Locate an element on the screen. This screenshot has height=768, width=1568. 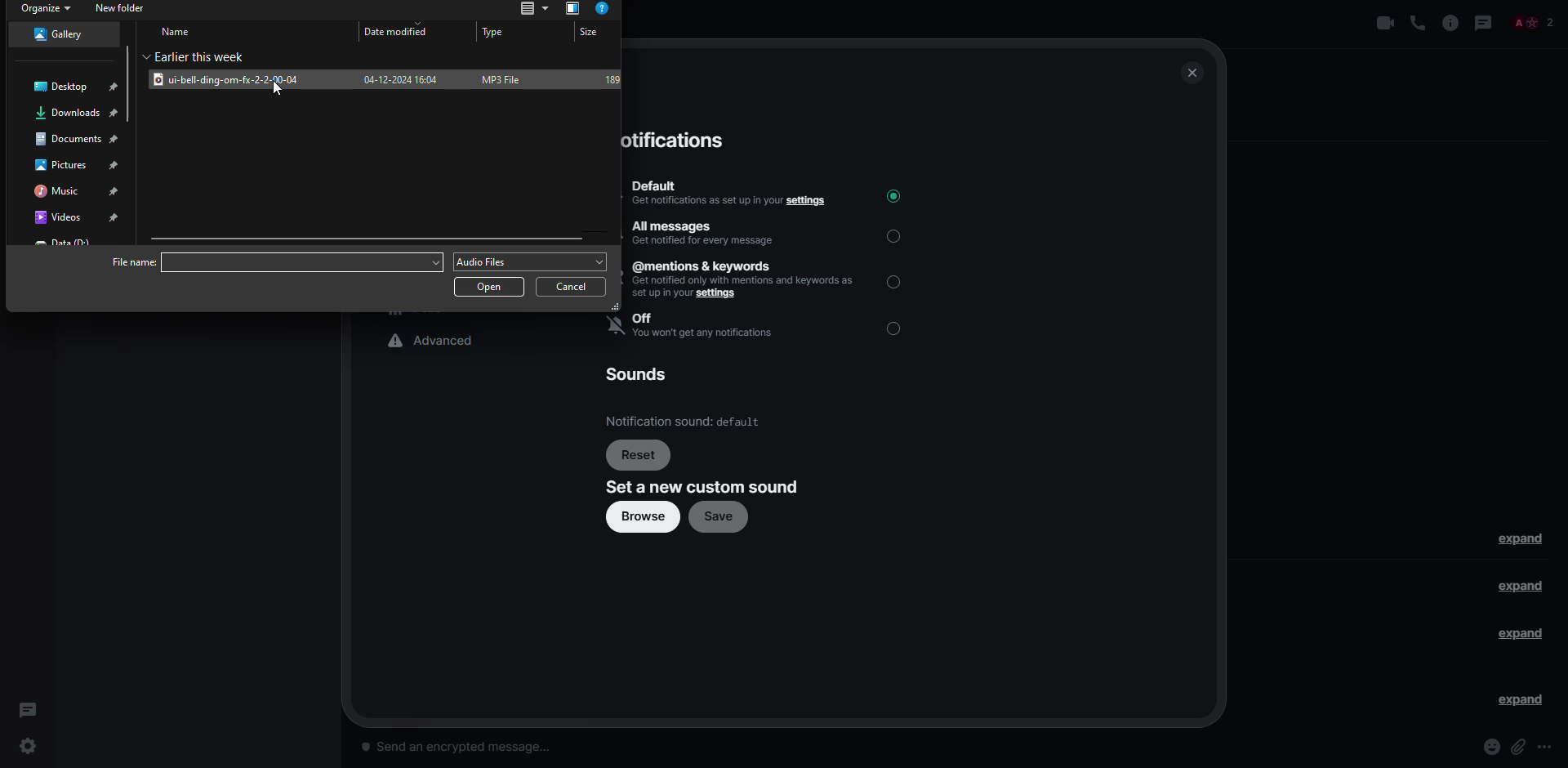
All files is located at coordinates (529, 9).